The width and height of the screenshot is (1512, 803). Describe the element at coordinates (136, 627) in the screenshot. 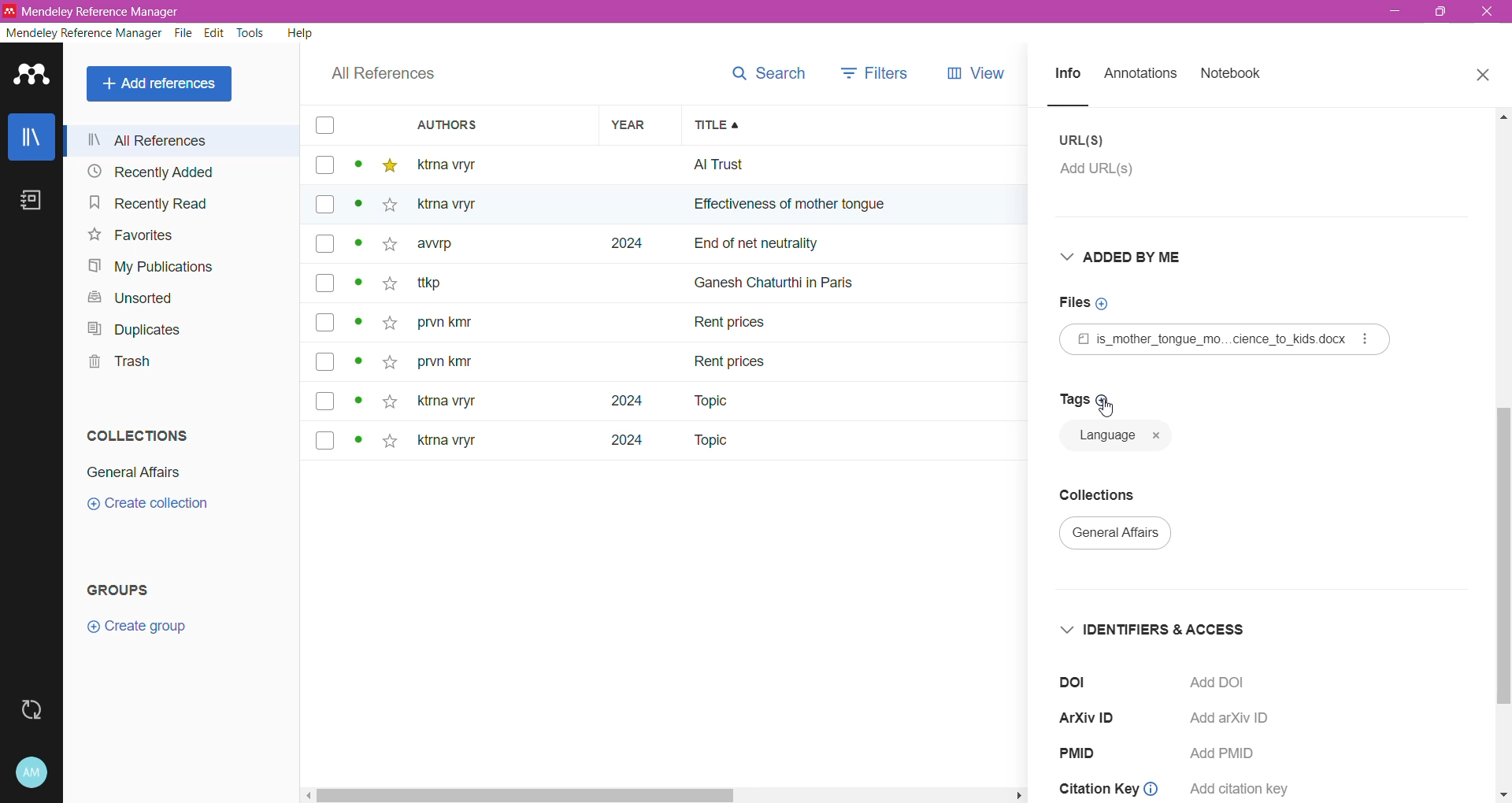

I see `Create group` at that location.